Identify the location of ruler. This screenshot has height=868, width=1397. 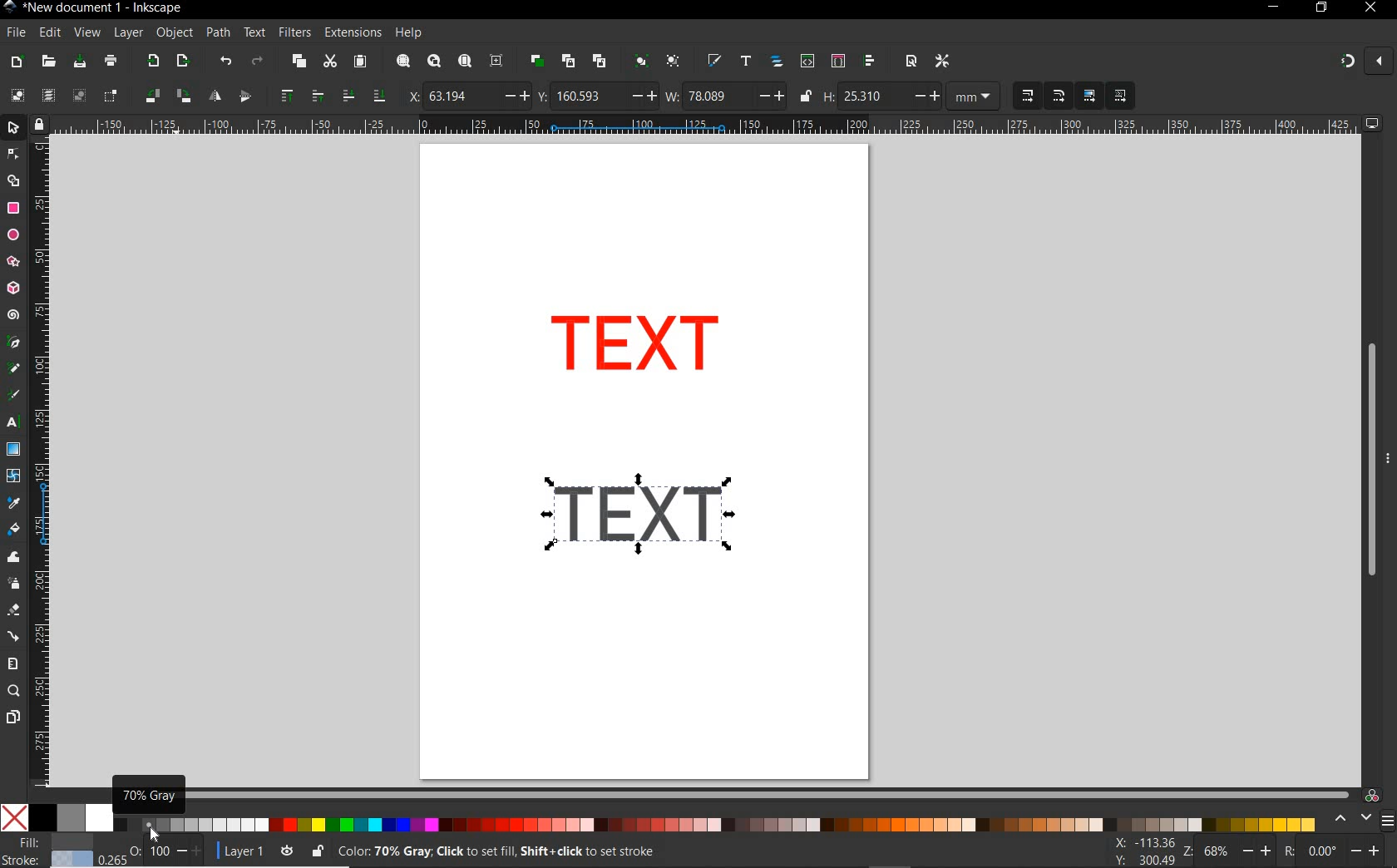
(42, 466).